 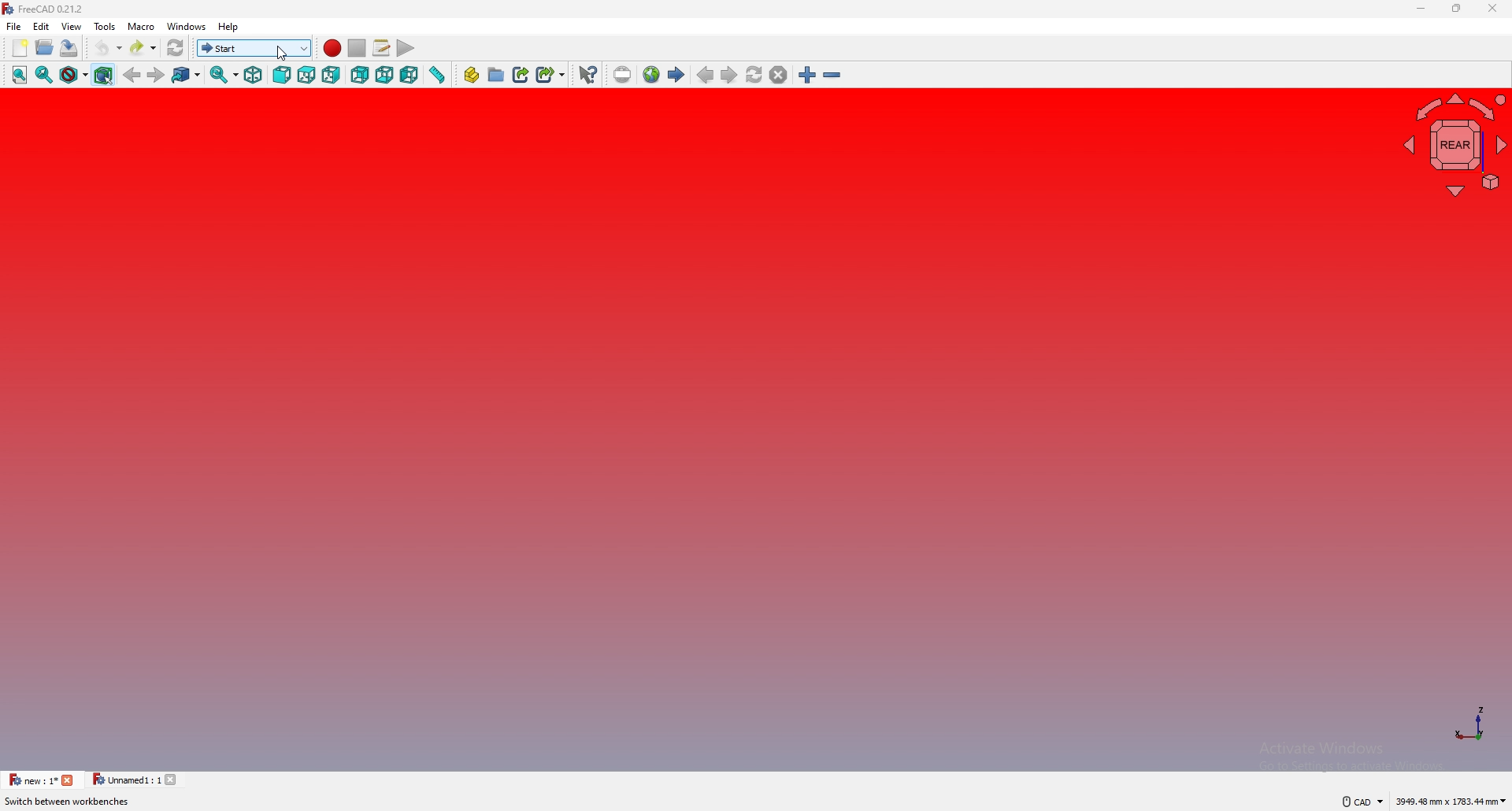 I want to click on synced view, so click(x=224, y=74).